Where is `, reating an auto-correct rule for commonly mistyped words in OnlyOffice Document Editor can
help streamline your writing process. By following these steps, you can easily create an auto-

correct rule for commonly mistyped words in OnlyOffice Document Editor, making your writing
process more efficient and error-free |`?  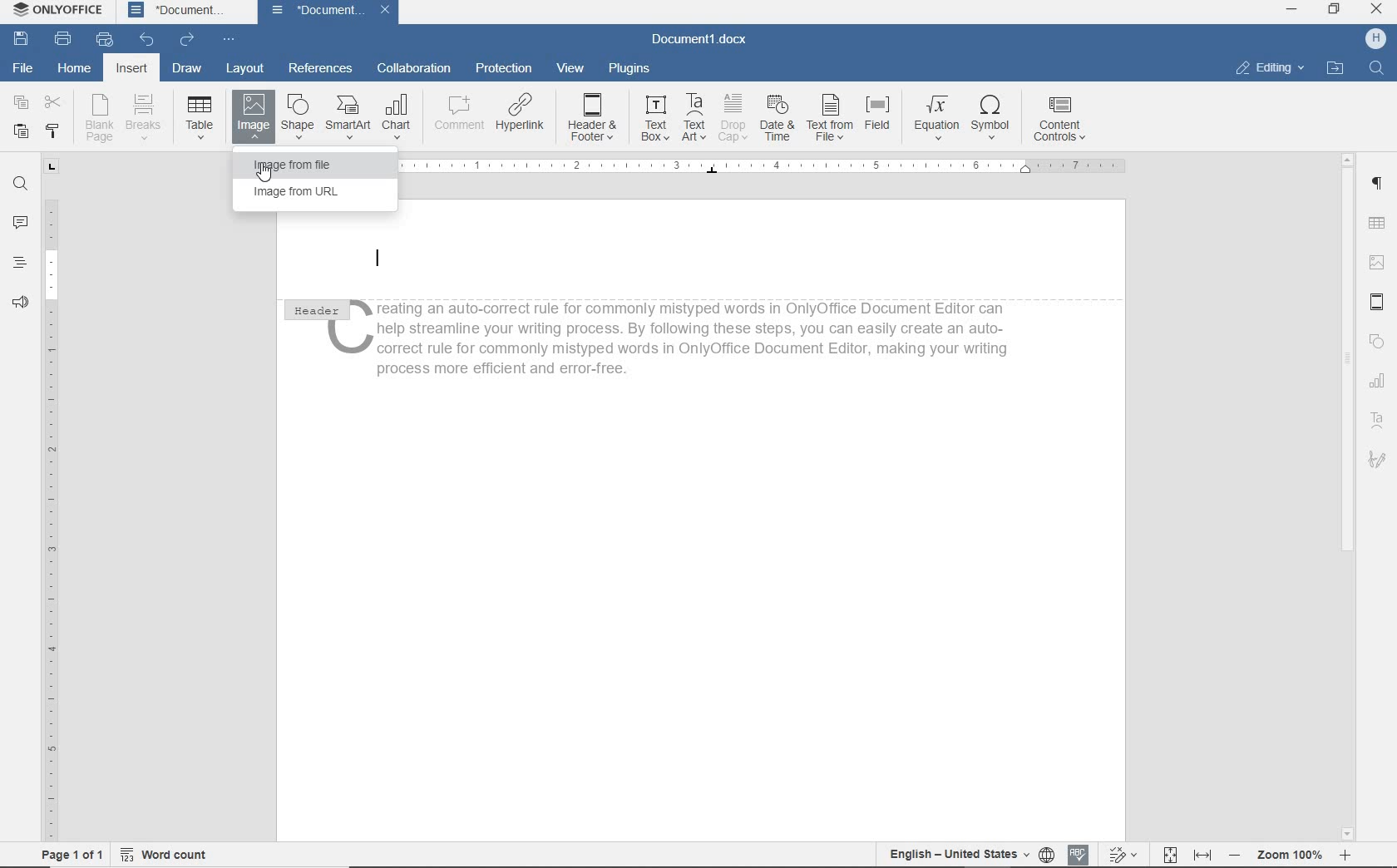
, reating an auto-correct rule for commonly mistyped words in OnlyOffice Document Editor can
help streamline your writing process. By following these steps, you can easily create an auto-

correct rule for commonly mistyped words in OnlyOffice Document Editor, making your writing
process more efficient and error-free | is located at coordinates (688, 338).